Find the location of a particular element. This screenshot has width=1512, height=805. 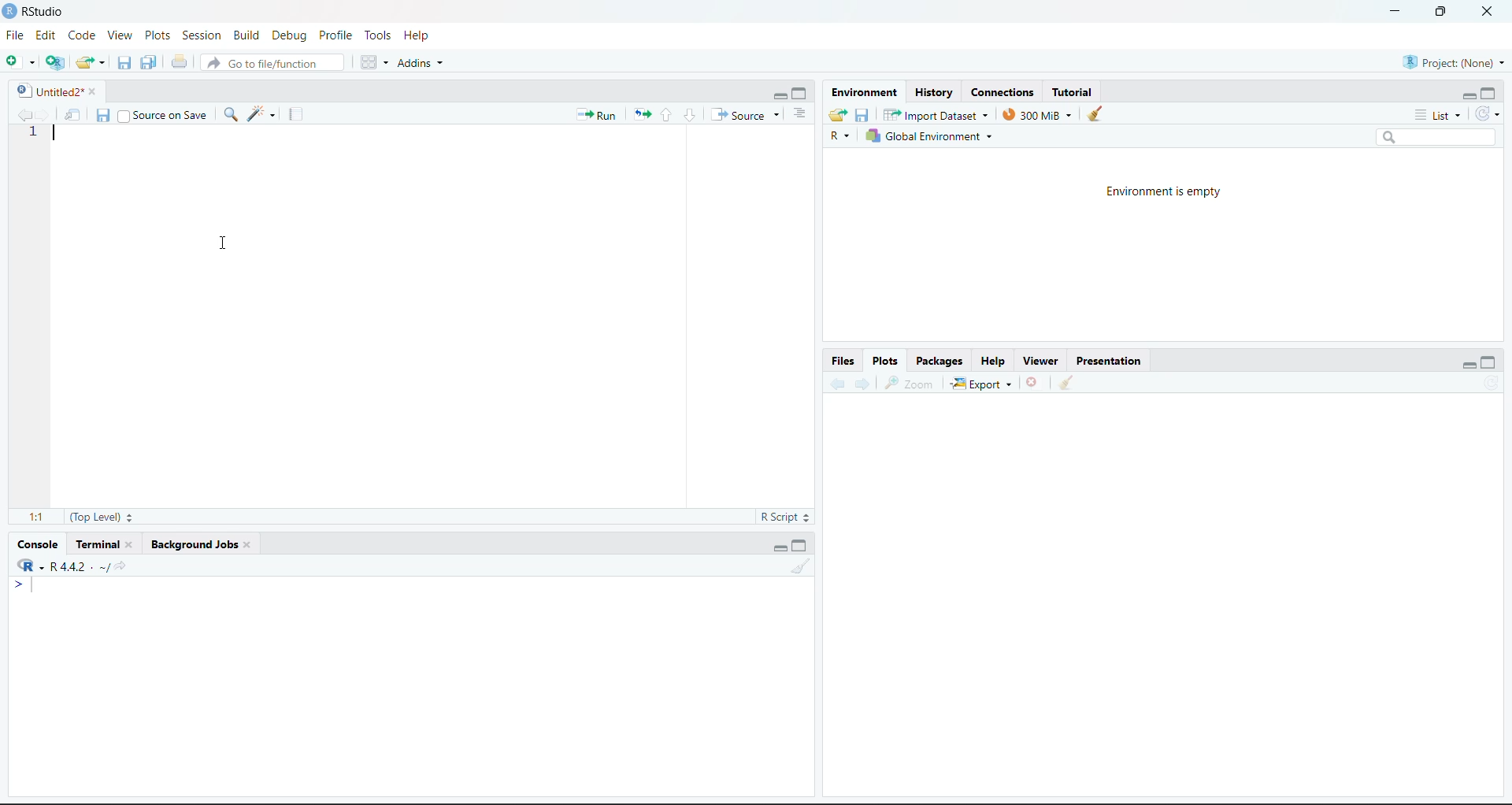

maximize is located at coordinates (1436, 10).